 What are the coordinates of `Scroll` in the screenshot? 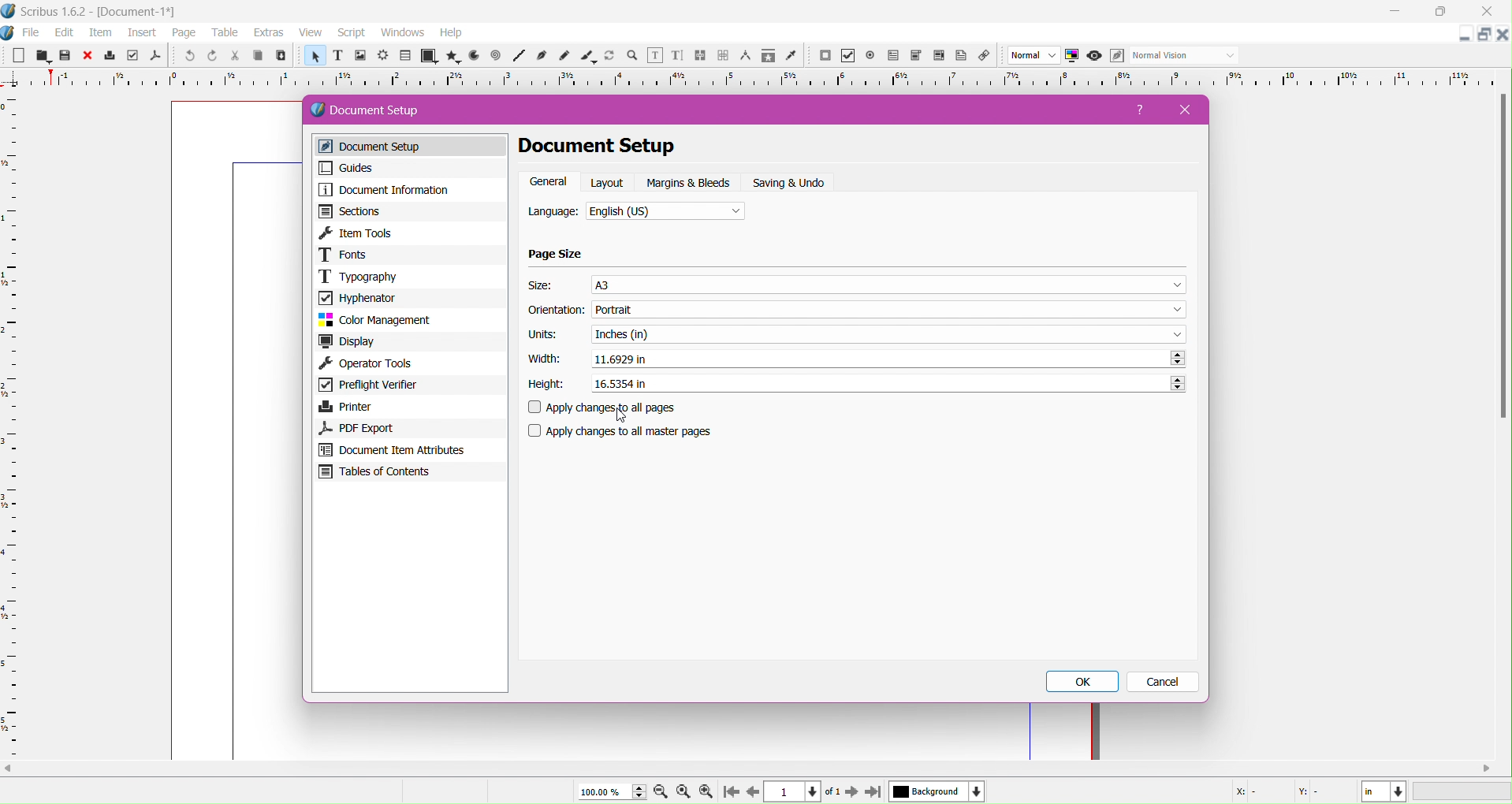 It's located at (752, 767).